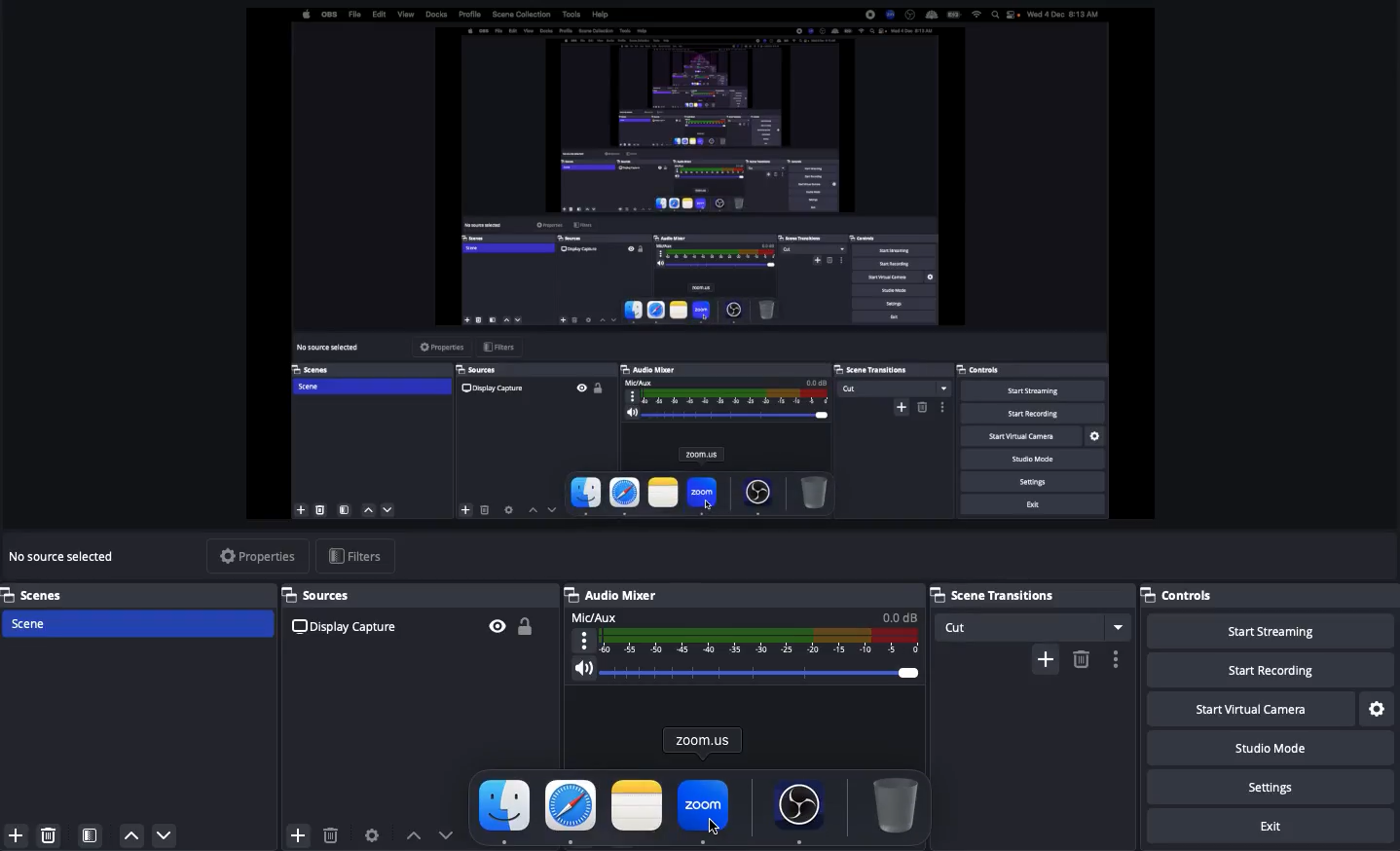  What do you see at coordinates (453, 833) in the screenshot?
I see `move downward` at bounding box center [453, 833].